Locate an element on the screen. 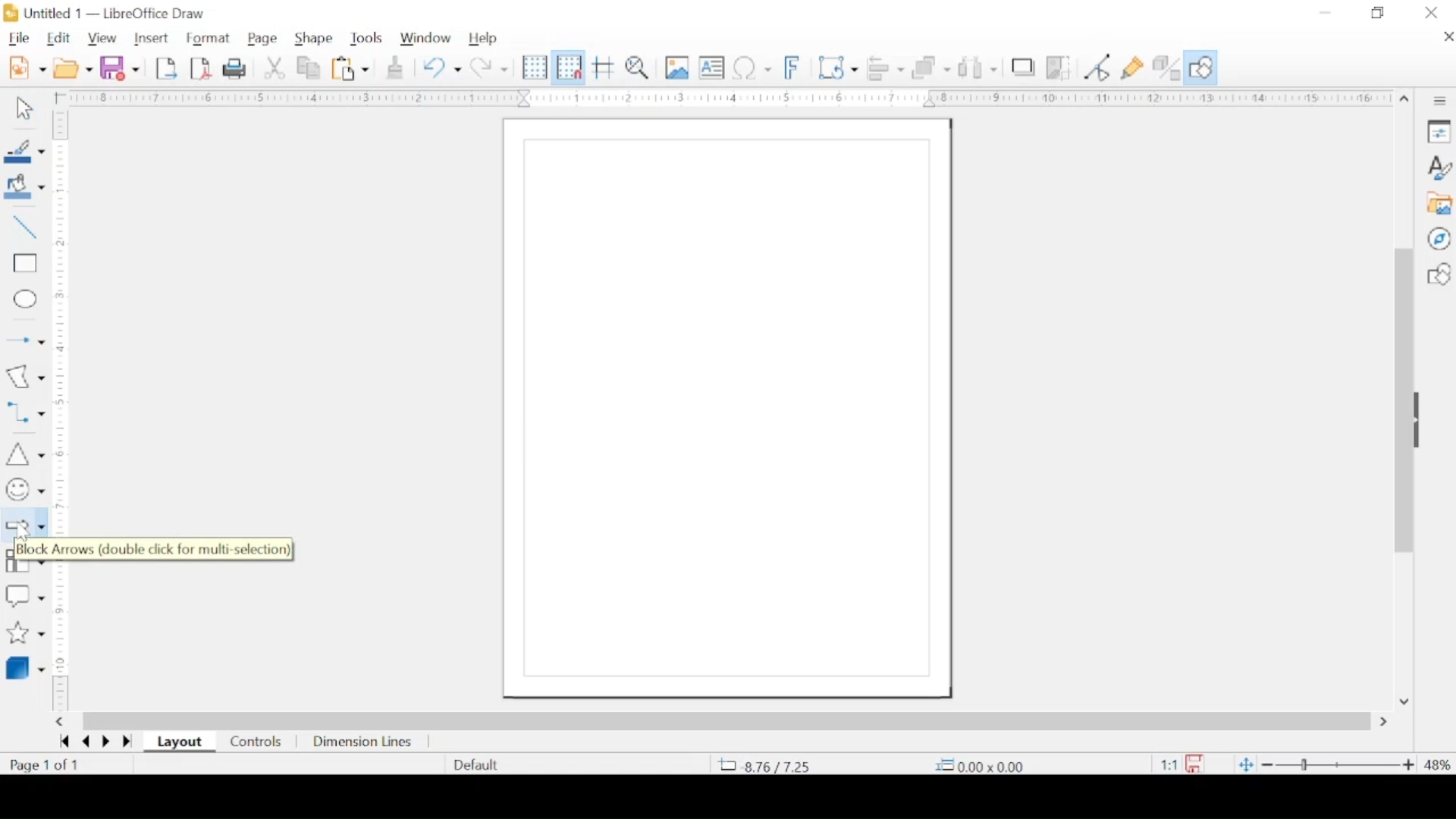 The height and width of the screenshot is (819, 1456). scroll right arrow is located at coordinates (1387, 722).